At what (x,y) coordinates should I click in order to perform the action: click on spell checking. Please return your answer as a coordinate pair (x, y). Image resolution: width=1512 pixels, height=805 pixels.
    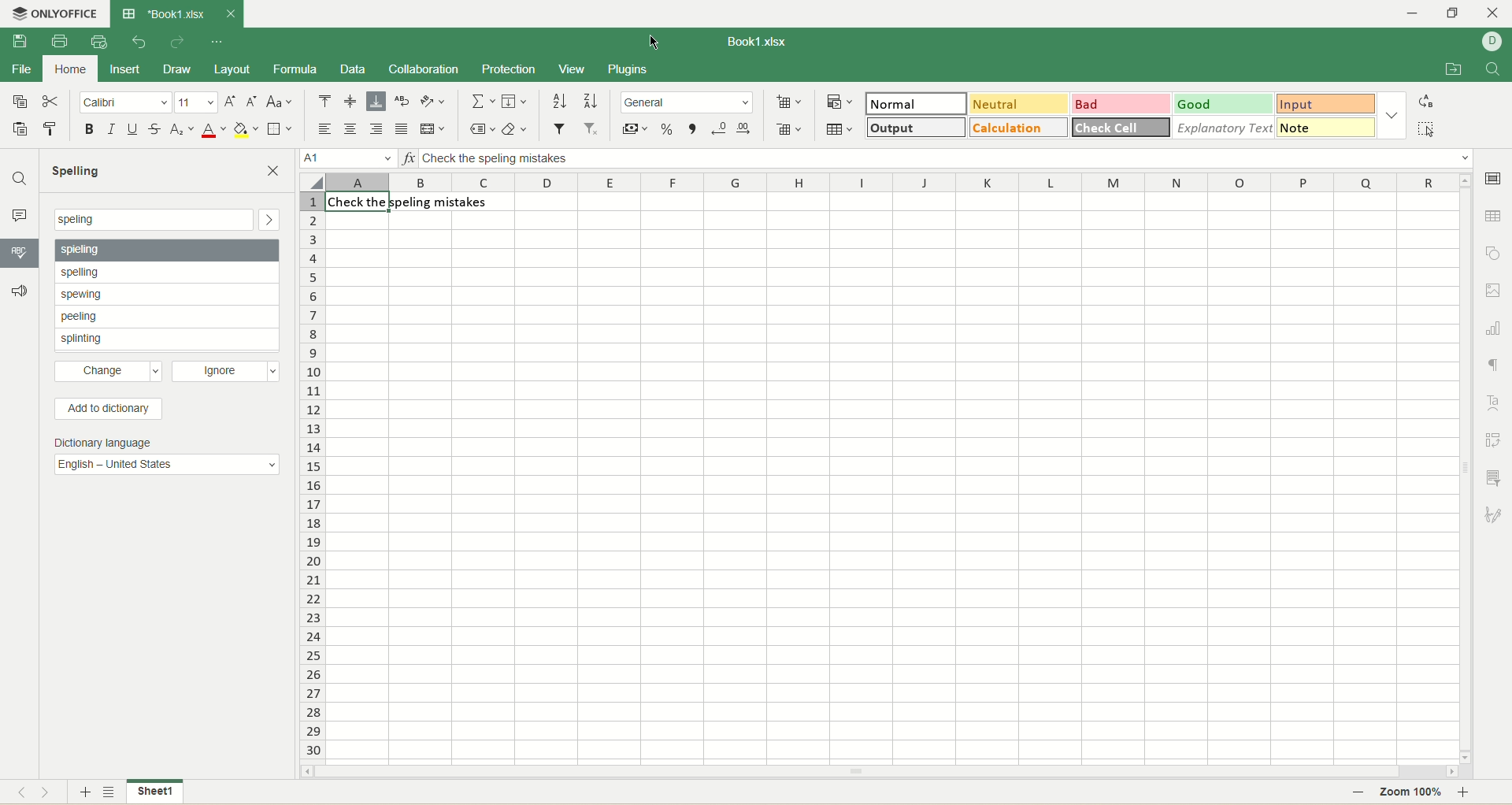
    Looking at the image, I should click on (20, 254).